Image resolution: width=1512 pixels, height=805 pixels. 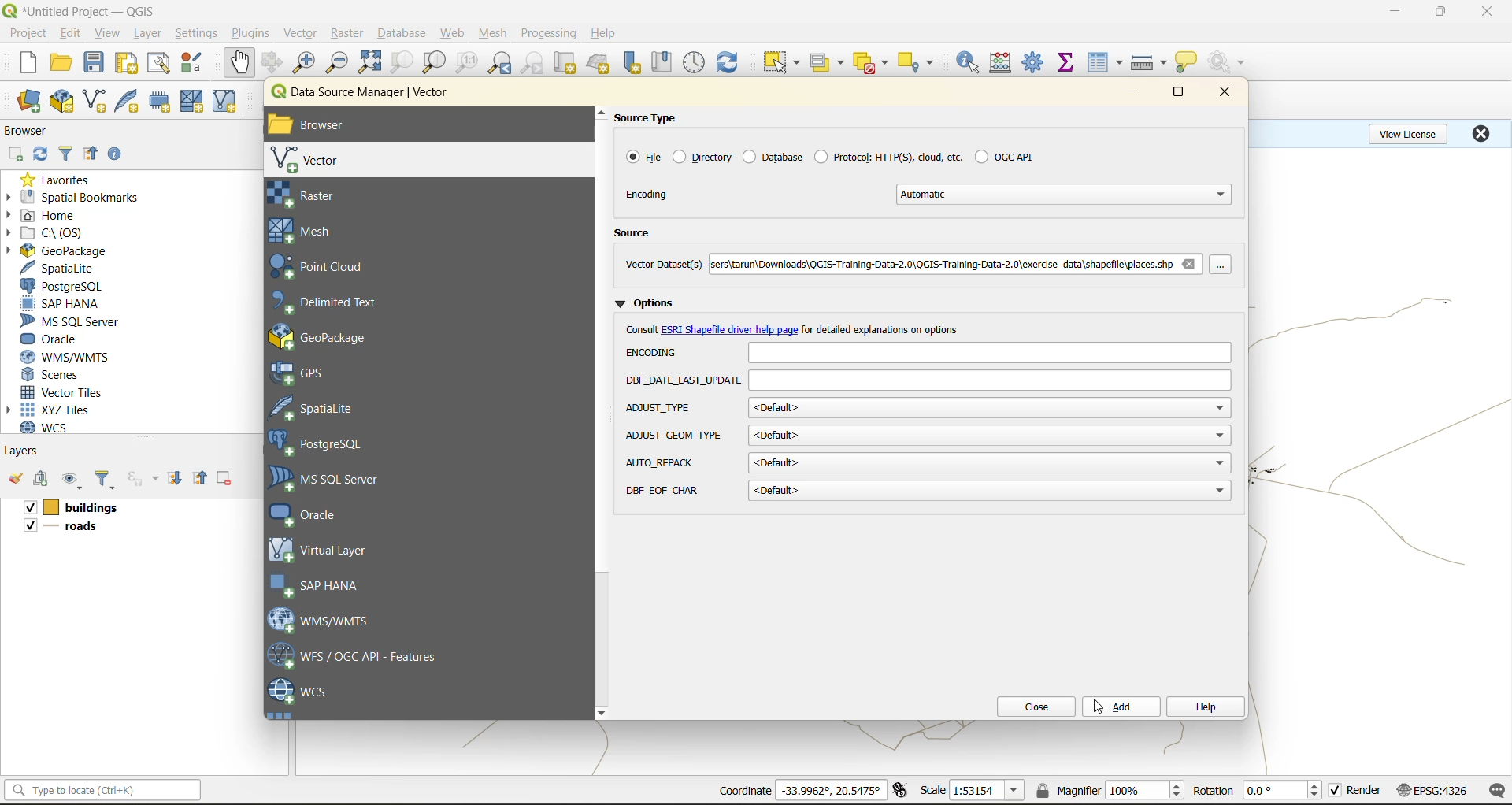 I want to click on scale, so click(x=932, y=789).